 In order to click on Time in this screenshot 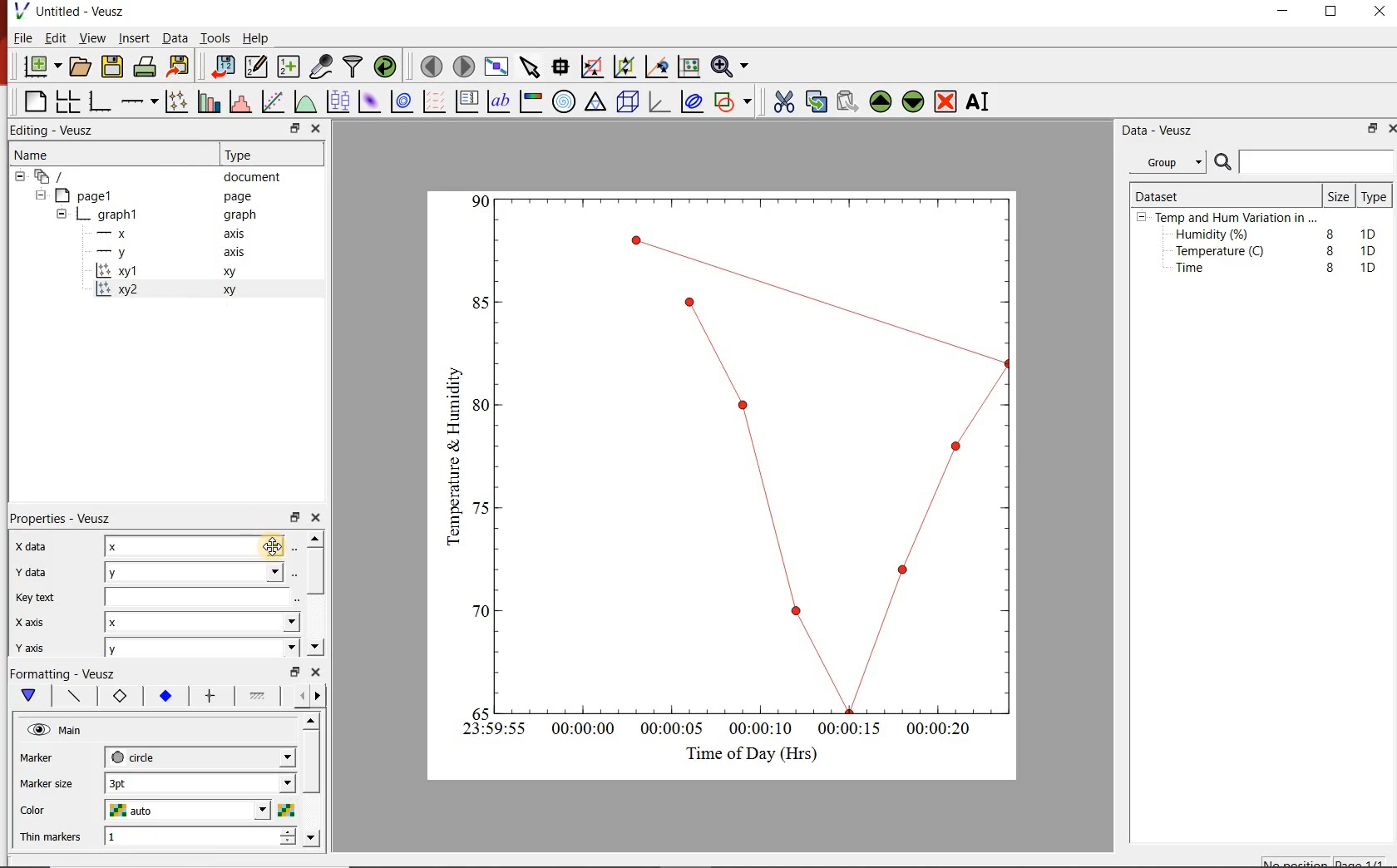, I will do `click(1199, 272)`.